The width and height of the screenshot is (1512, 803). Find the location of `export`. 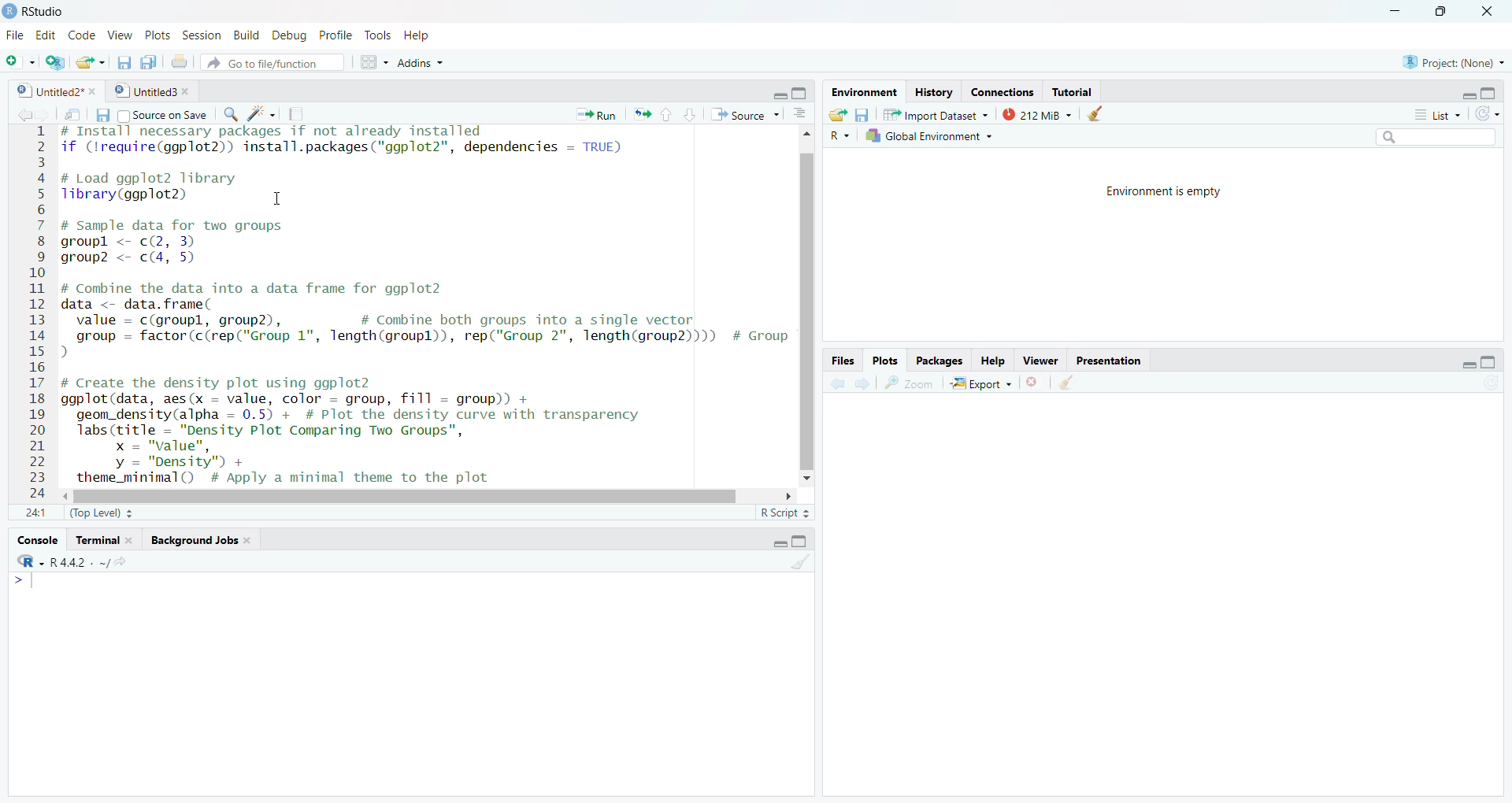

export is located at coordinates (980, 381).